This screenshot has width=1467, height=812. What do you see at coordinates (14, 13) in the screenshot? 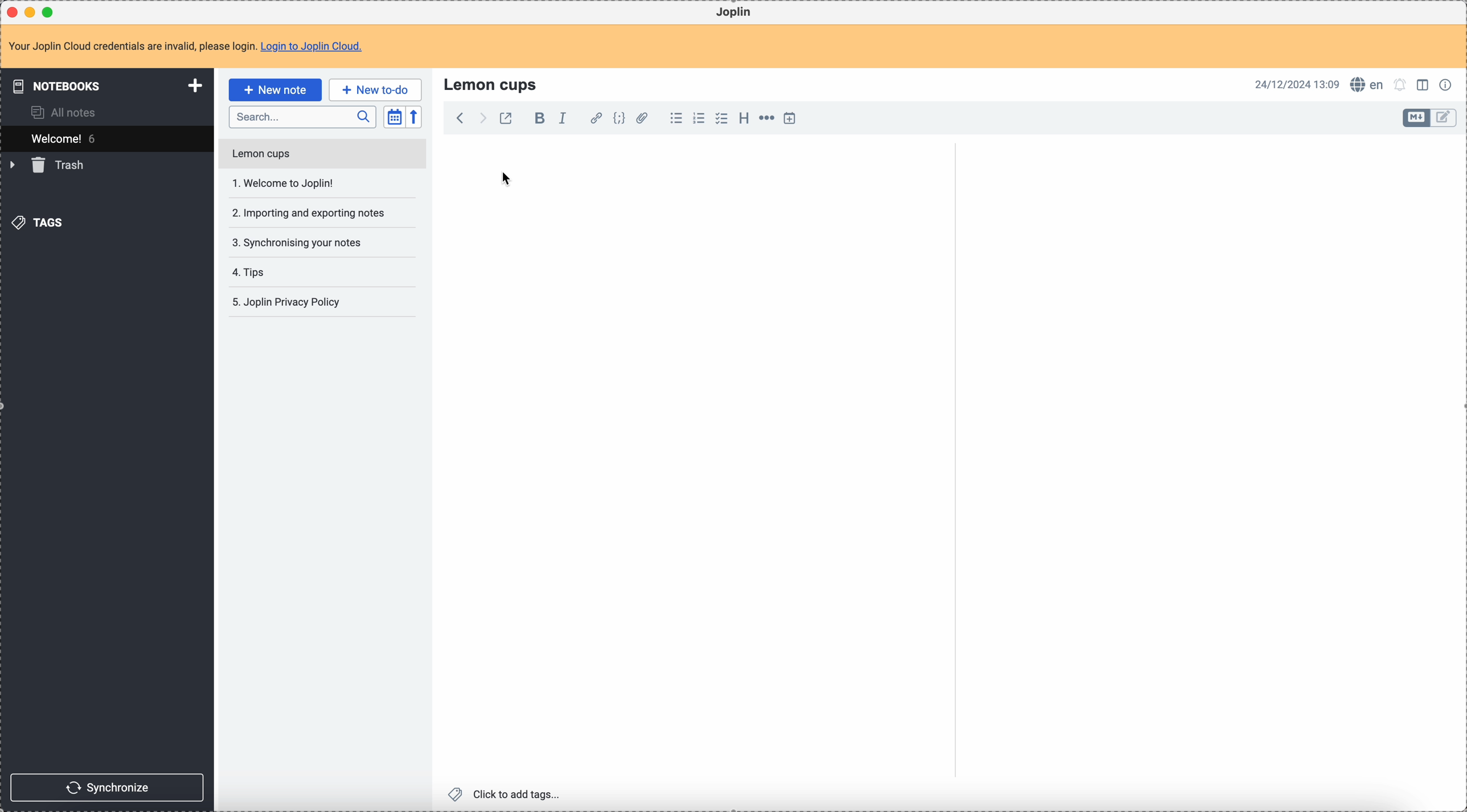
I see `close` at bounding box center [14, 13].